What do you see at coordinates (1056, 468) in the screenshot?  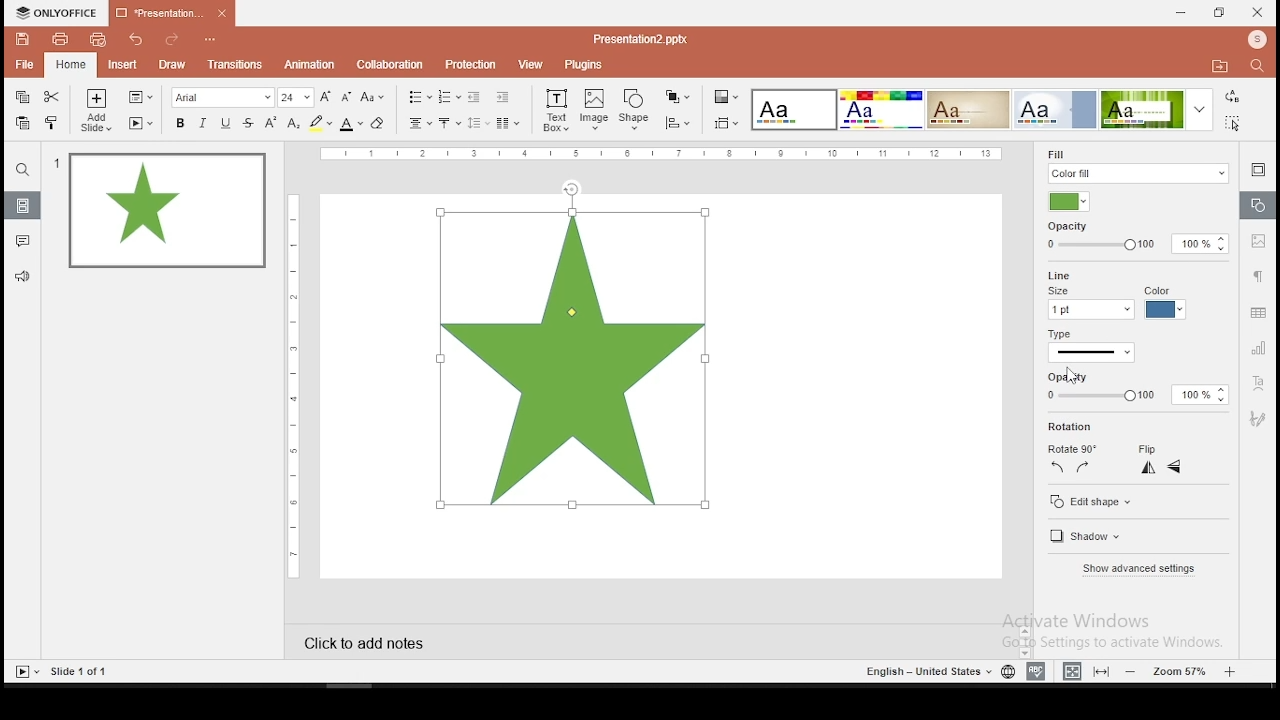 I see `rotate 90 counterclockwise` at bounding box center [1056, 468].